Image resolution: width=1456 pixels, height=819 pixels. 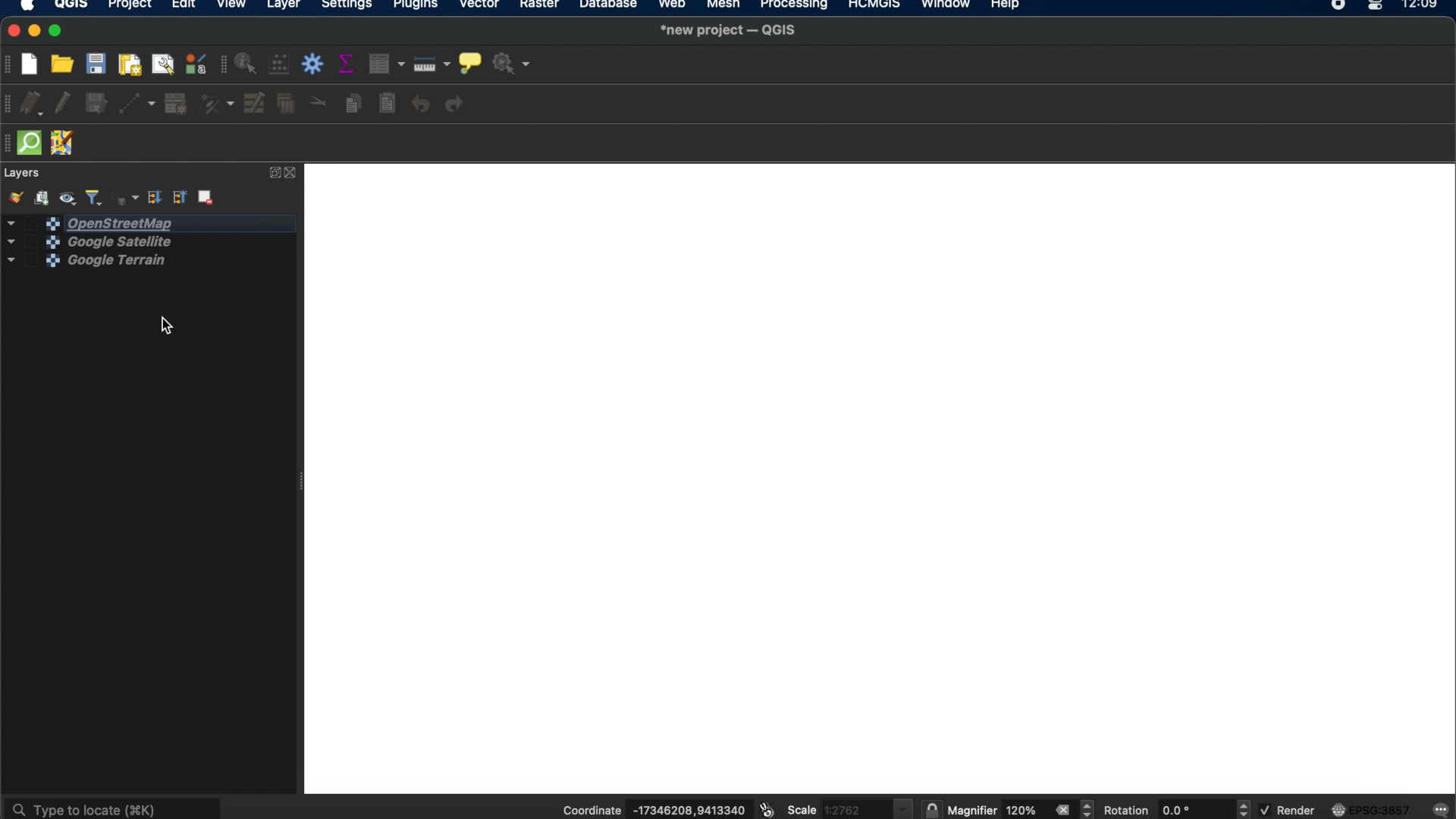 I want to click on project toolbar, so click(x=9, y=64).